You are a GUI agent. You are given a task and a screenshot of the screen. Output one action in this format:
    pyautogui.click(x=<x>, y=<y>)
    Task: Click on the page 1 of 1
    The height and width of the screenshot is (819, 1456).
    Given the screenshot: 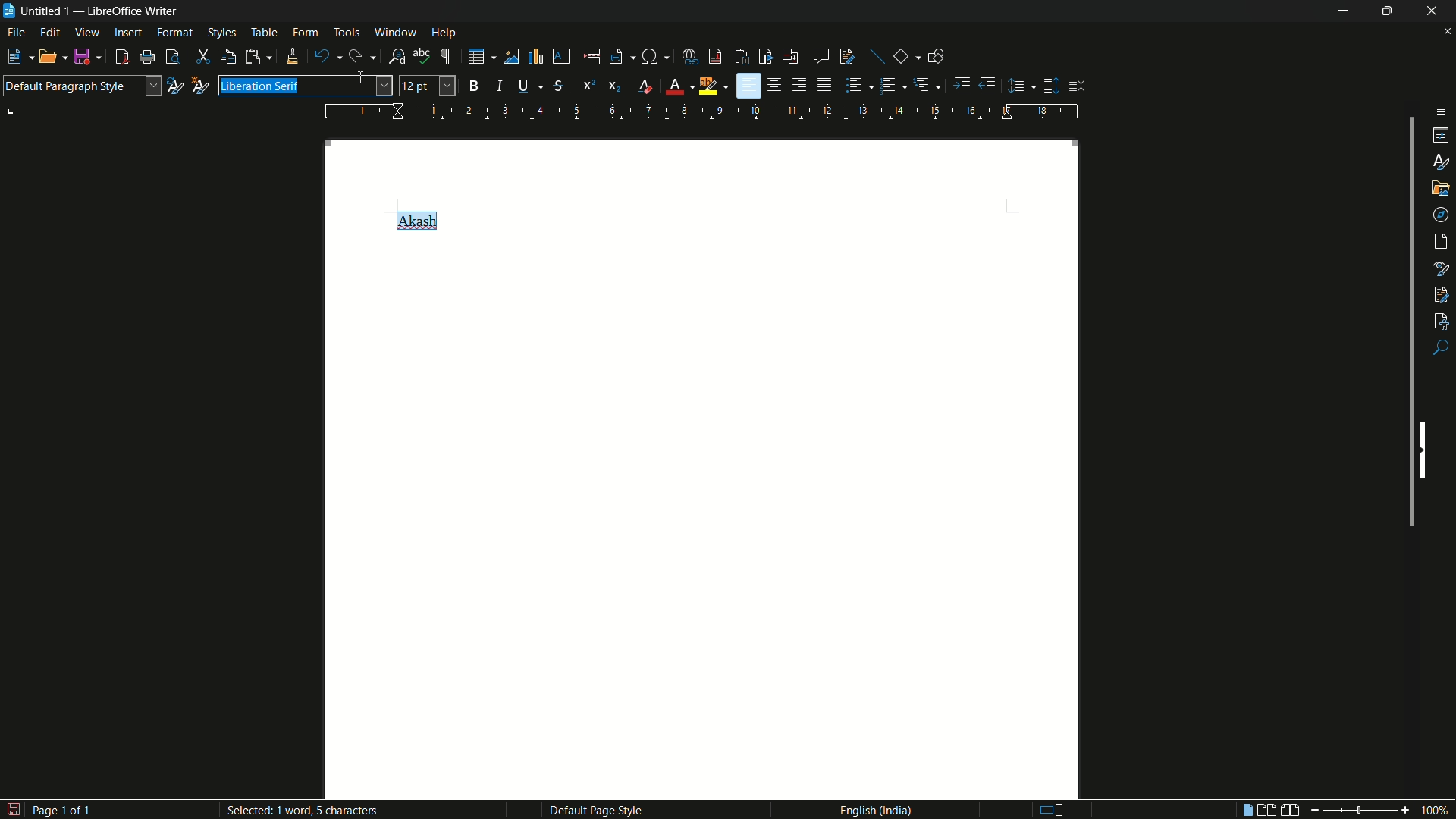 What is the action you would take?
    pyautogui.click(x=49, y=808)
    